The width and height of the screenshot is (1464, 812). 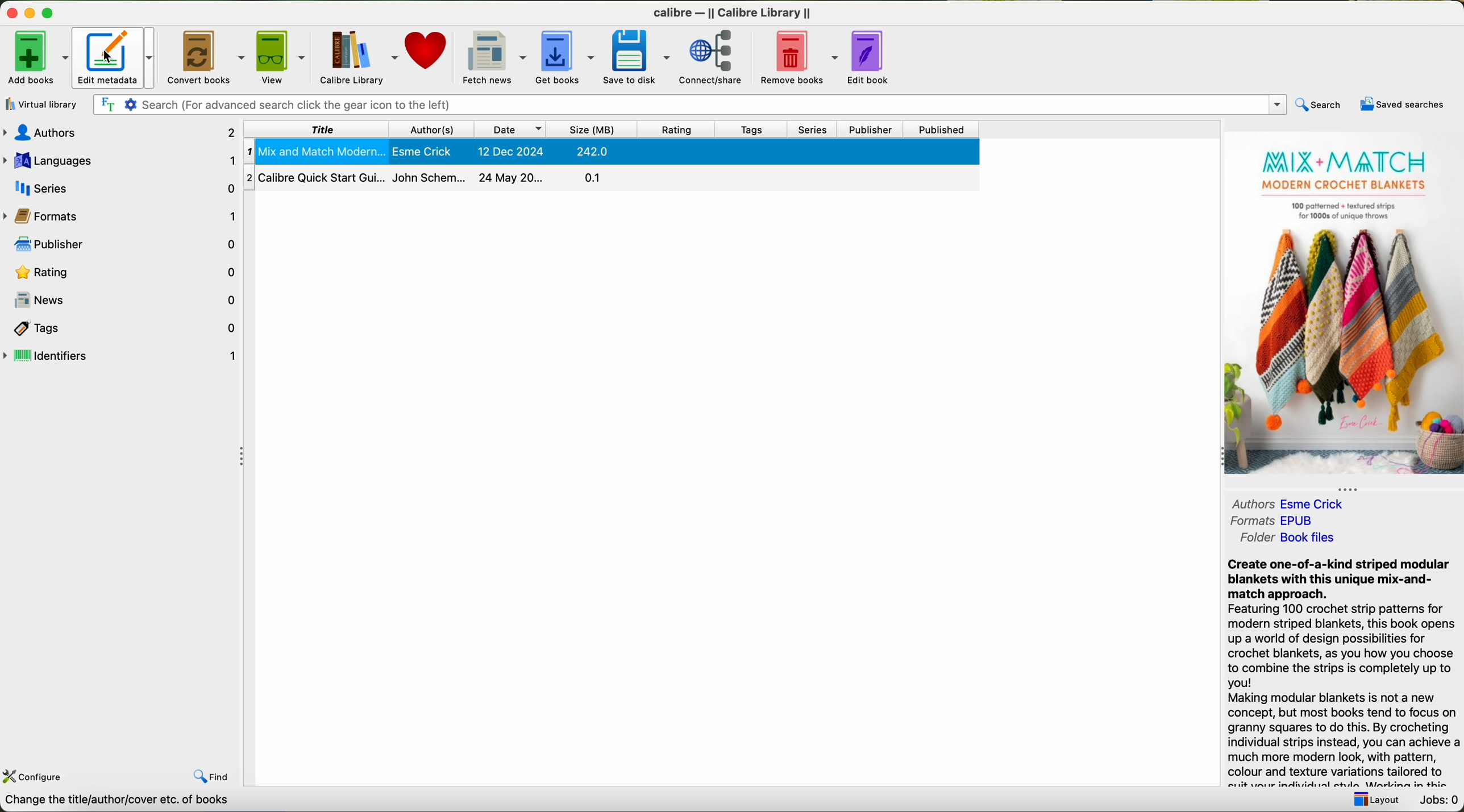 I want to click on data, so click(x=126, y=802).